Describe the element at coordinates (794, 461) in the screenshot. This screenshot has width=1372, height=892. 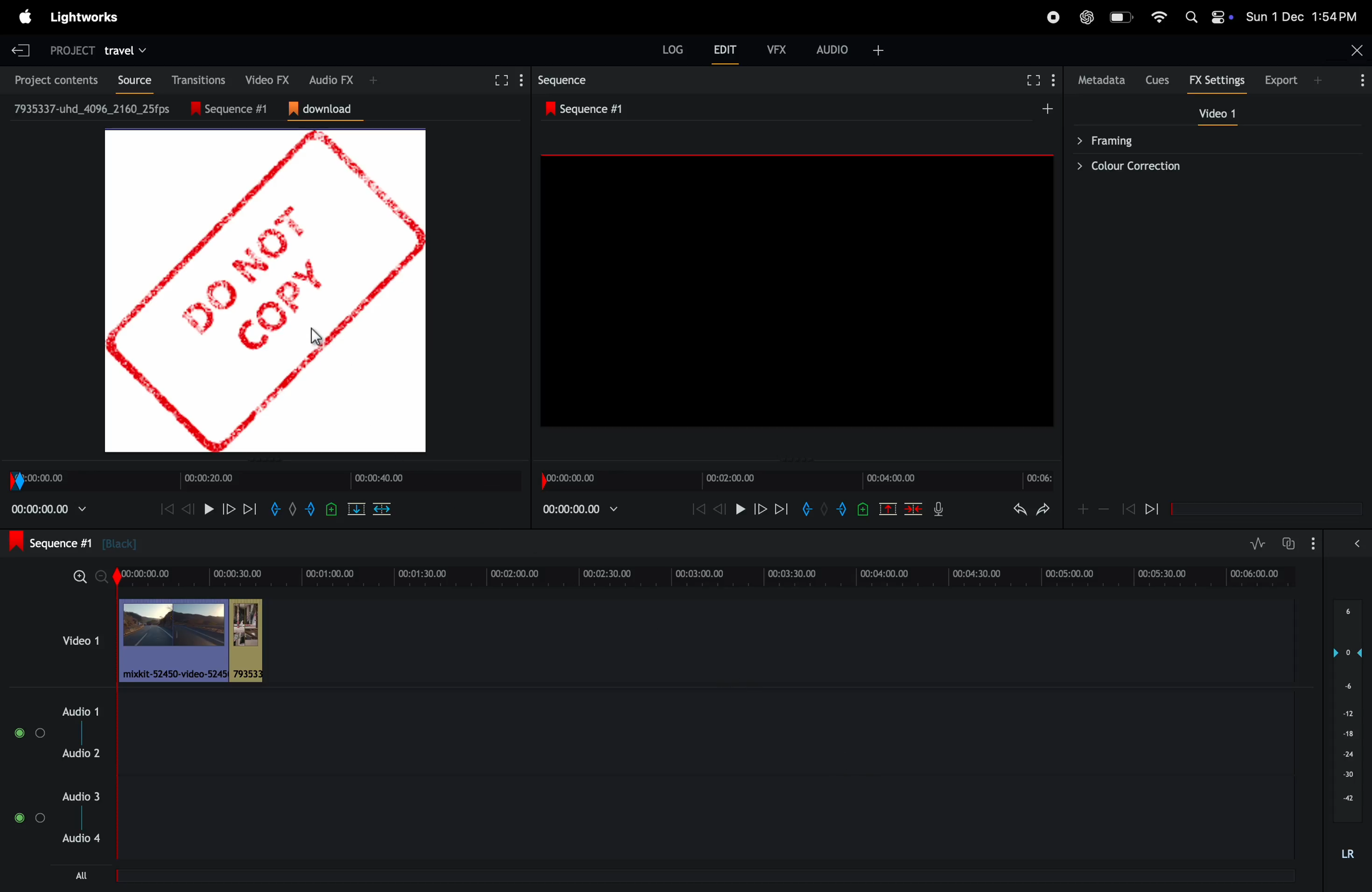
I see `Drag to change dimension` at that location.